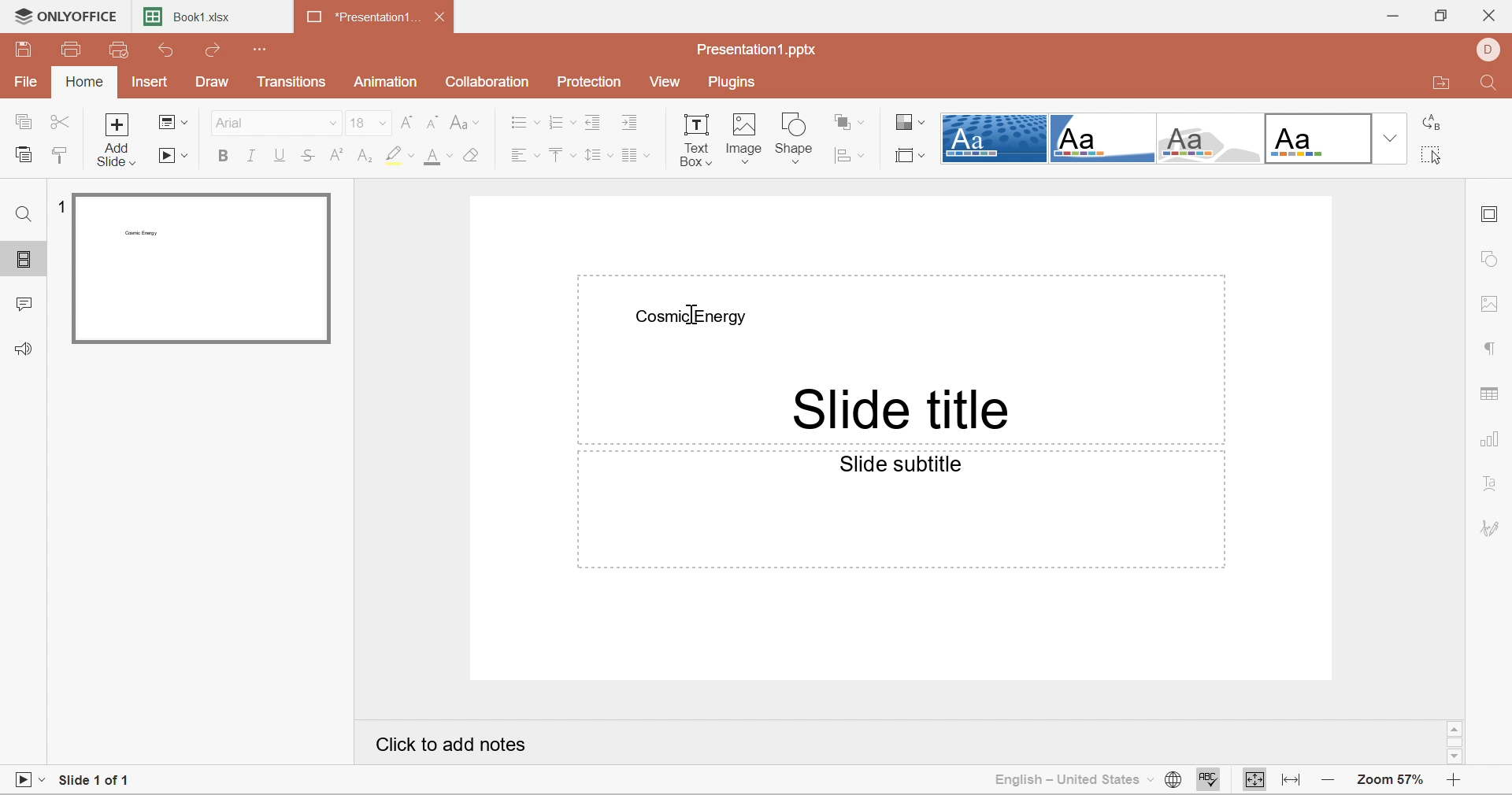 This screenshot has height=795, width=1512. Describe the element at coordinates (400, 155) in the screenshot. I see `Highlight color` at that location.